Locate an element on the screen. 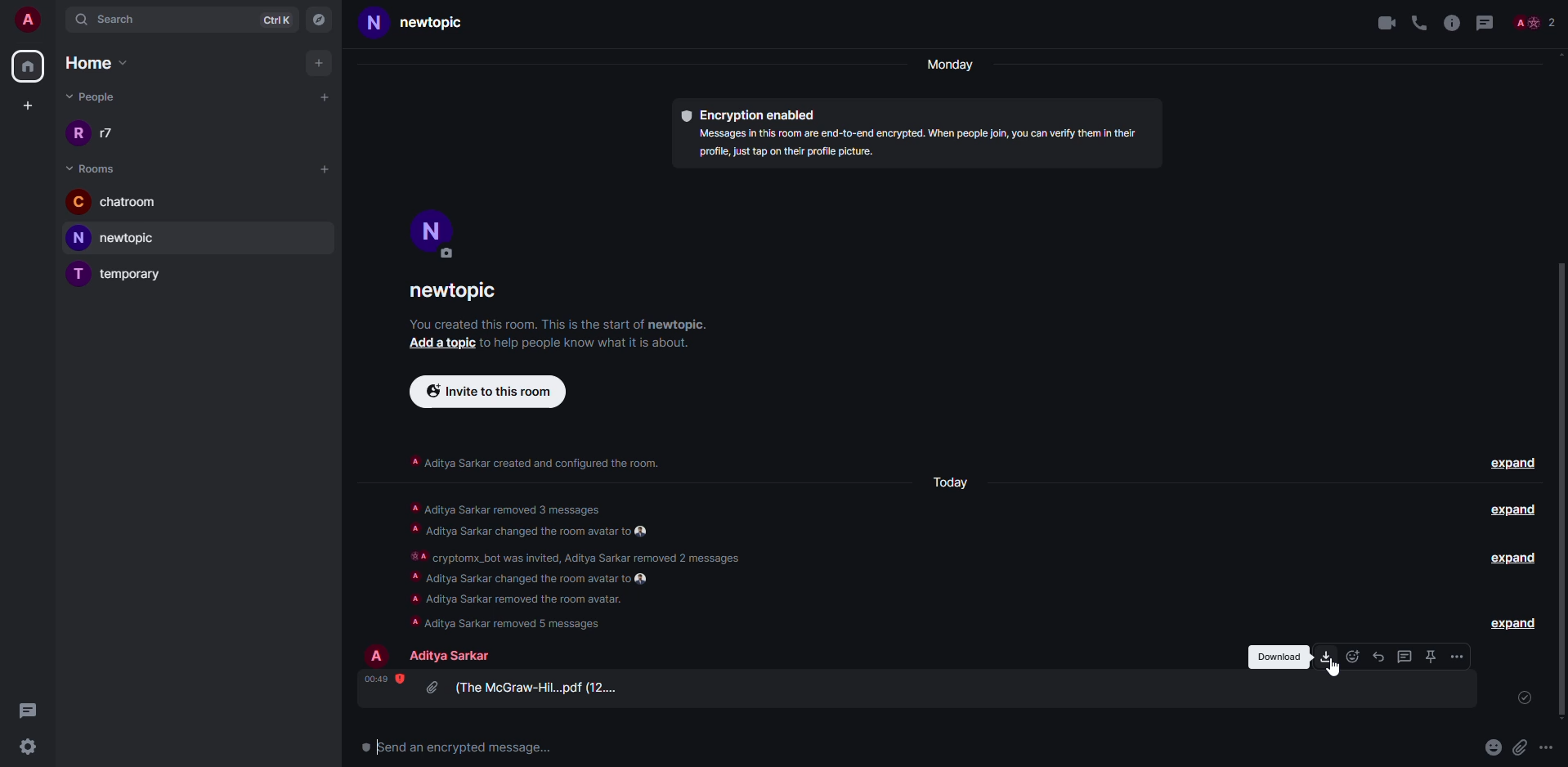  expand is located at coordinates (1513, 511).